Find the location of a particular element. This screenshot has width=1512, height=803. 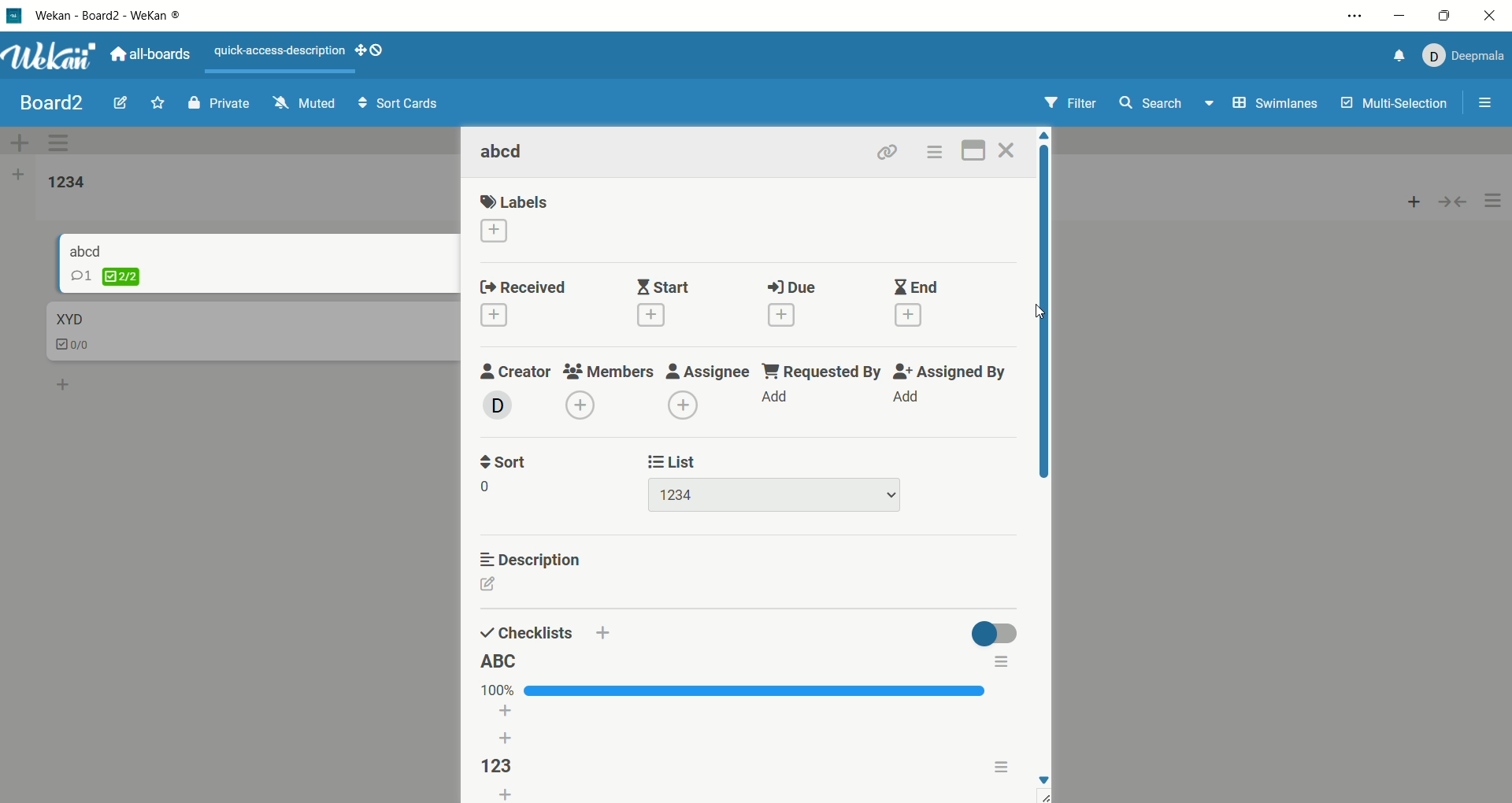

end is located at coordinates (918, 287).